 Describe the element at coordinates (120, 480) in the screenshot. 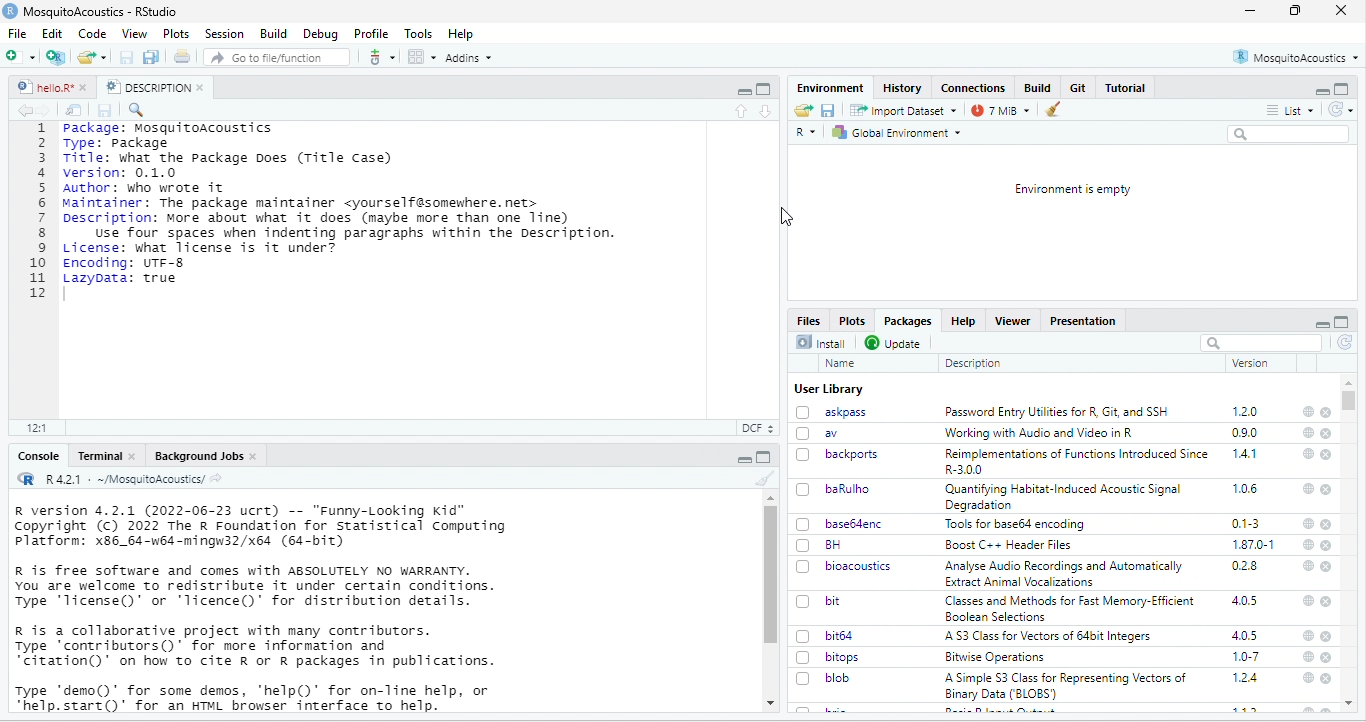

I see `R 4.2.1 : ~/MosquitoAcoustics/` at that location.